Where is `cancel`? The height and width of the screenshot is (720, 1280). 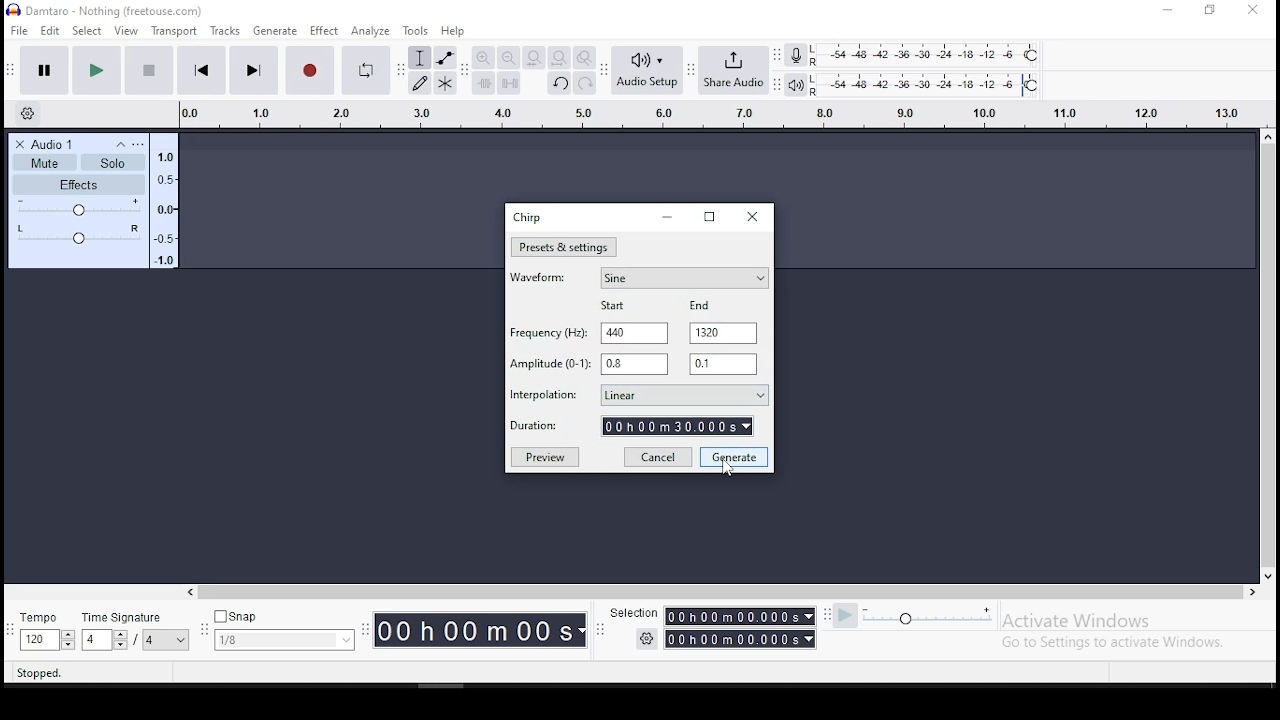 cancel is located at coordinates (658, 456).